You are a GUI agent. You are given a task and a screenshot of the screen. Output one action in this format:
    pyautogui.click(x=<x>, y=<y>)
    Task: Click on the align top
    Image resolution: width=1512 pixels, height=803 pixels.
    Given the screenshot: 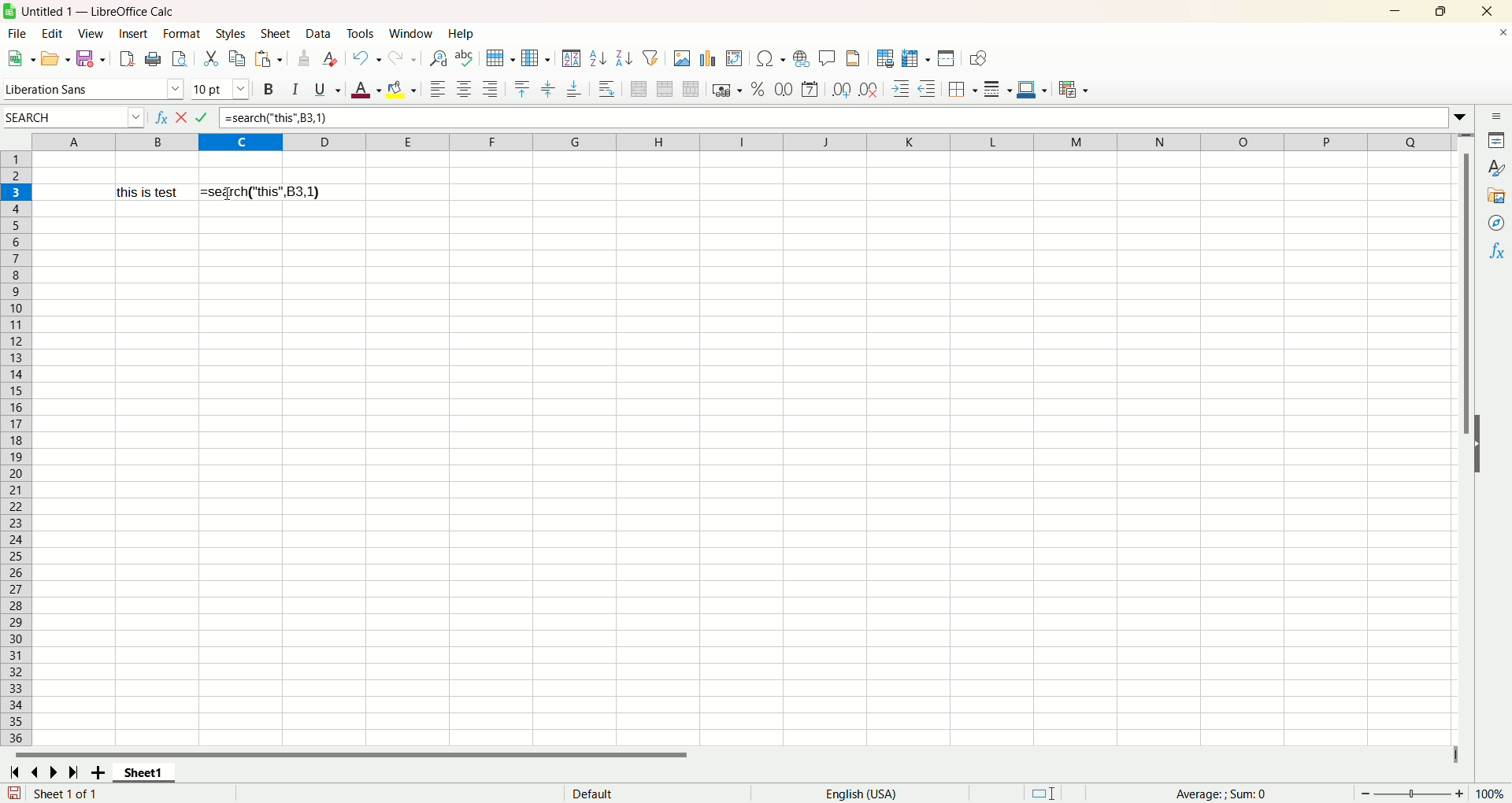 What is the action you would take?
    pyautogui.click(x=523, y=88)
    